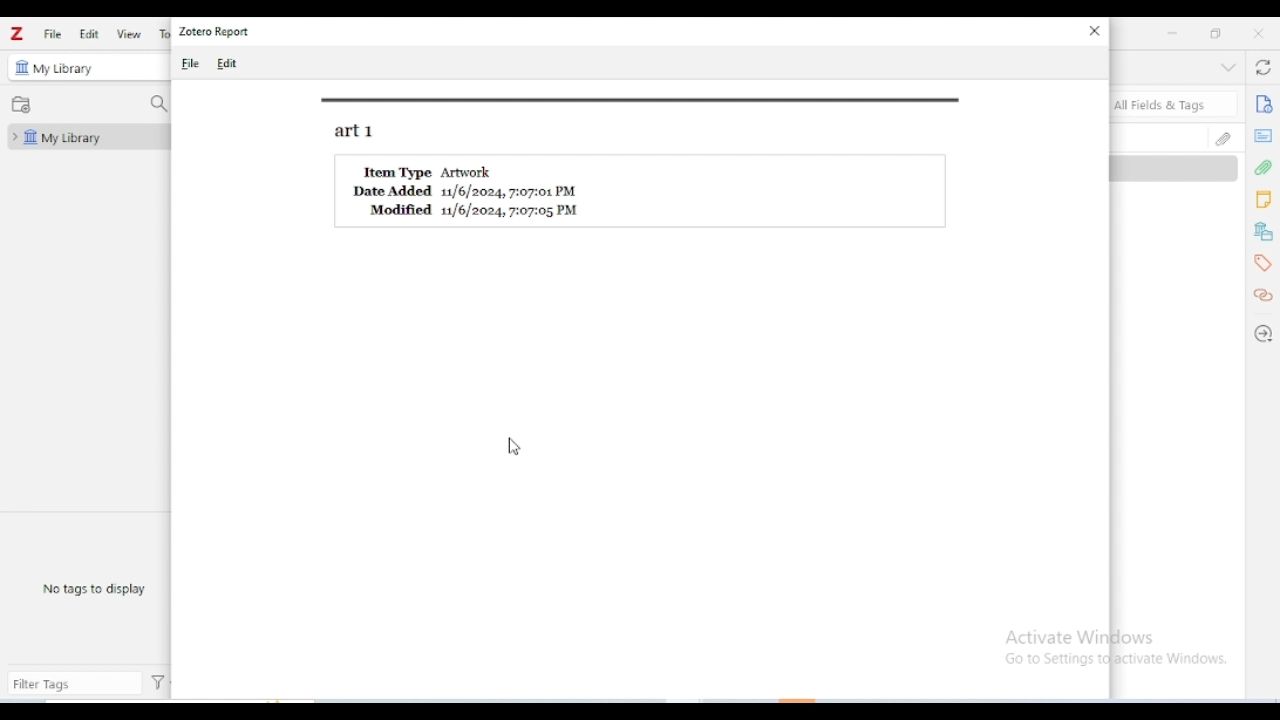 Image resolution: width=1280 pixels, height=720 pixels. What do you see at coordinates (1095, 31) in the screenshot?
I see `close` at bounding box center [1095, 31].